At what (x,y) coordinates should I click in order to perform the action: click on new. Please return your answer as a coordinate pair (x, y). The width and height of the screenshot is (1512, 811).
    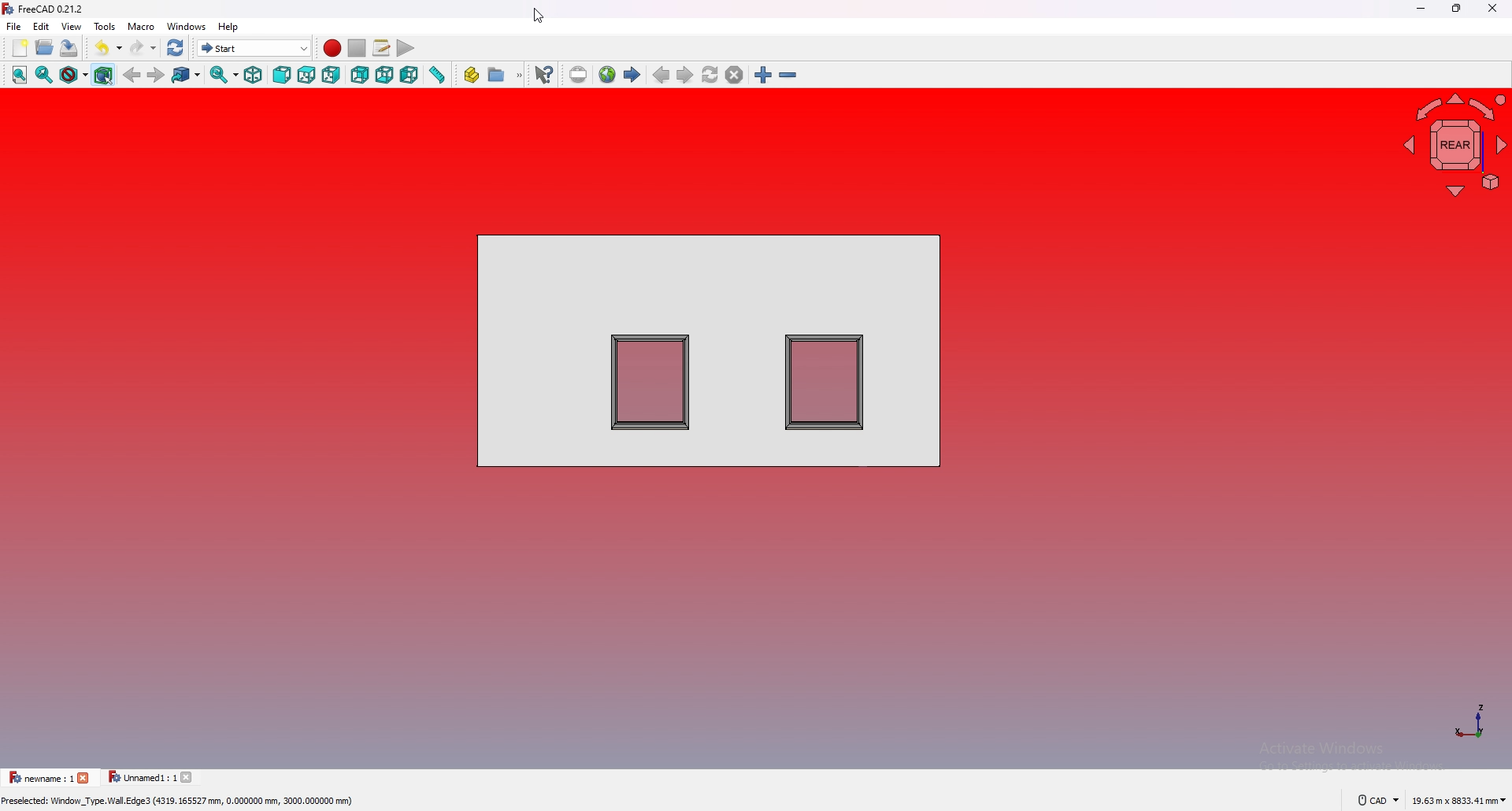
    Looking at the image, I should click on (20, 48).